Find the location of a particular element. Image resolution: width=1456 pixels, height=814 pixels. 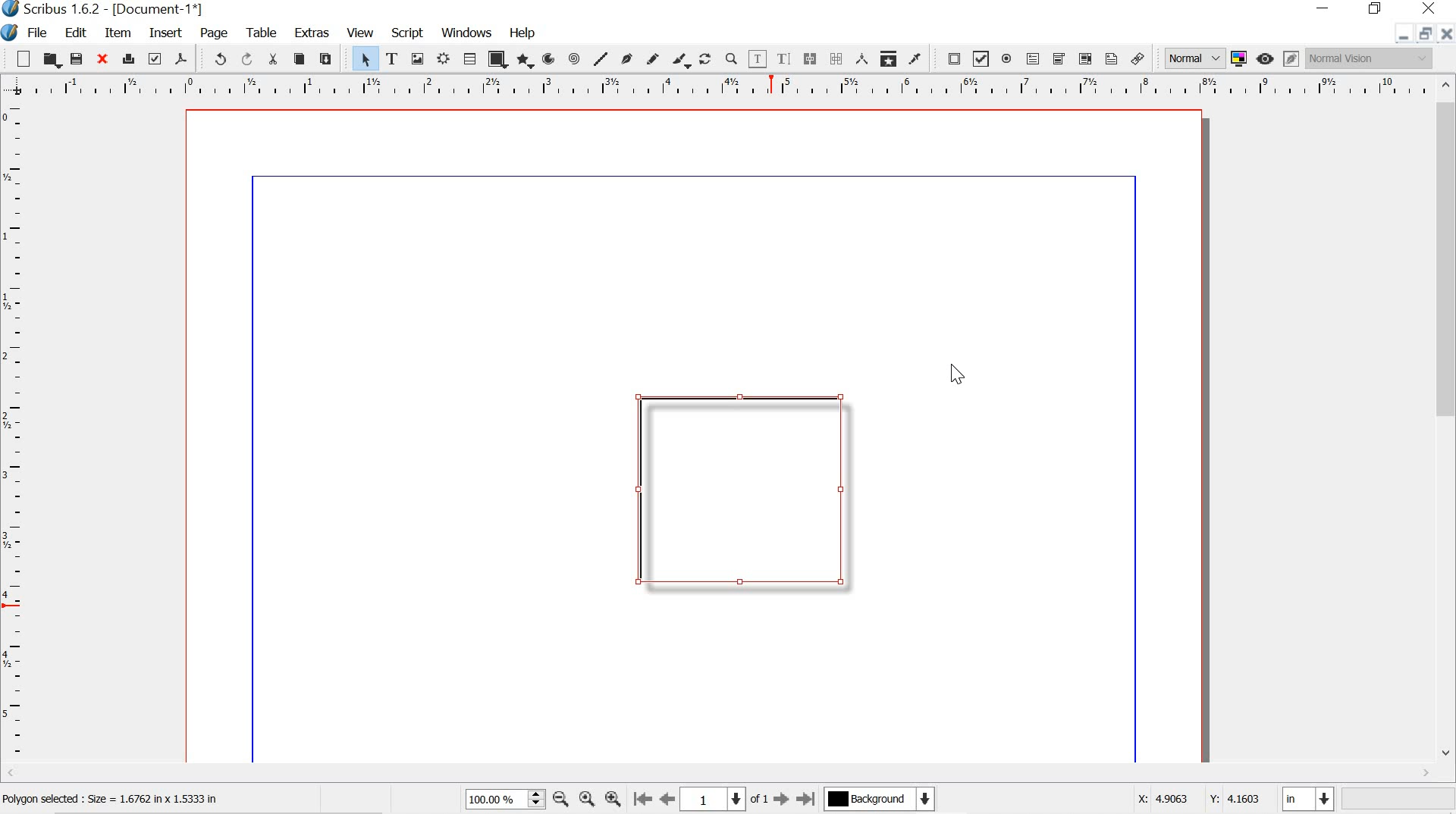

image frame is located at coordinates (418, 58).